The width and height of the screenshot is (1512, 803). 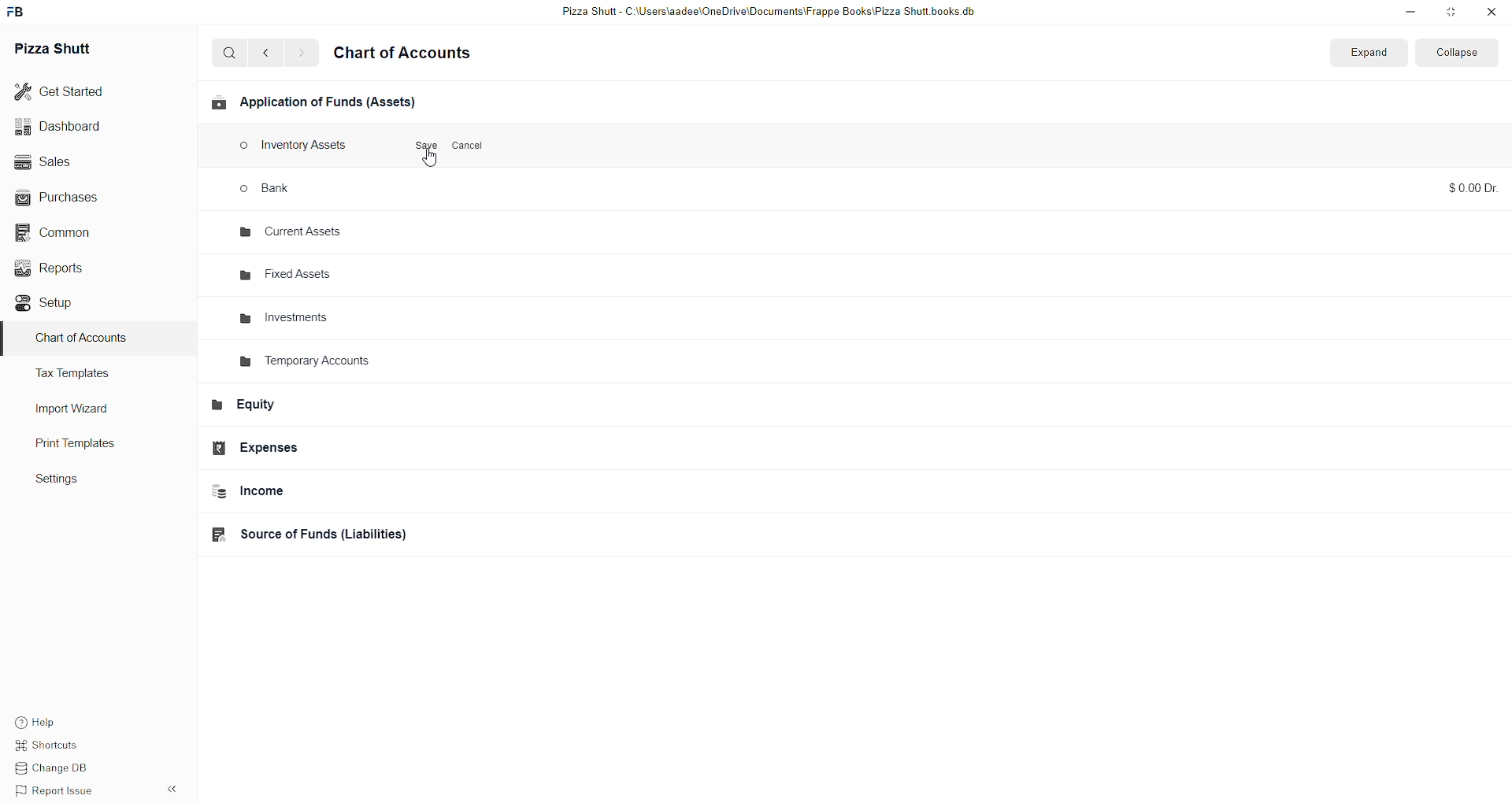 What do you see at coordinates (51, 771) in the screenshot?
I see `change DB` at bounding box center [51, 771].